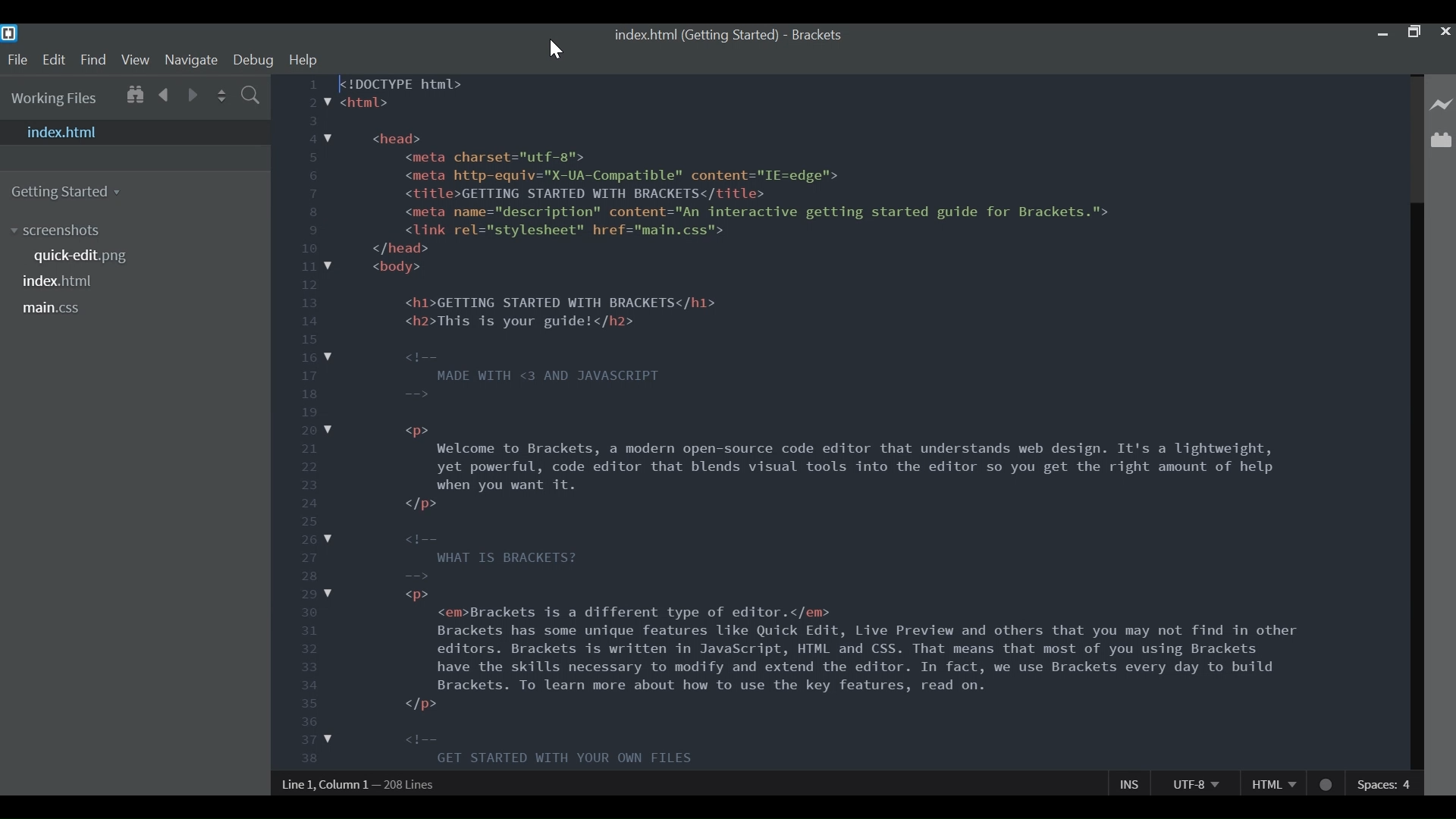  What do you see at coordinates (1414, 33) in the screenshot?
I see `Restore` at bounding box center [1414, 33].